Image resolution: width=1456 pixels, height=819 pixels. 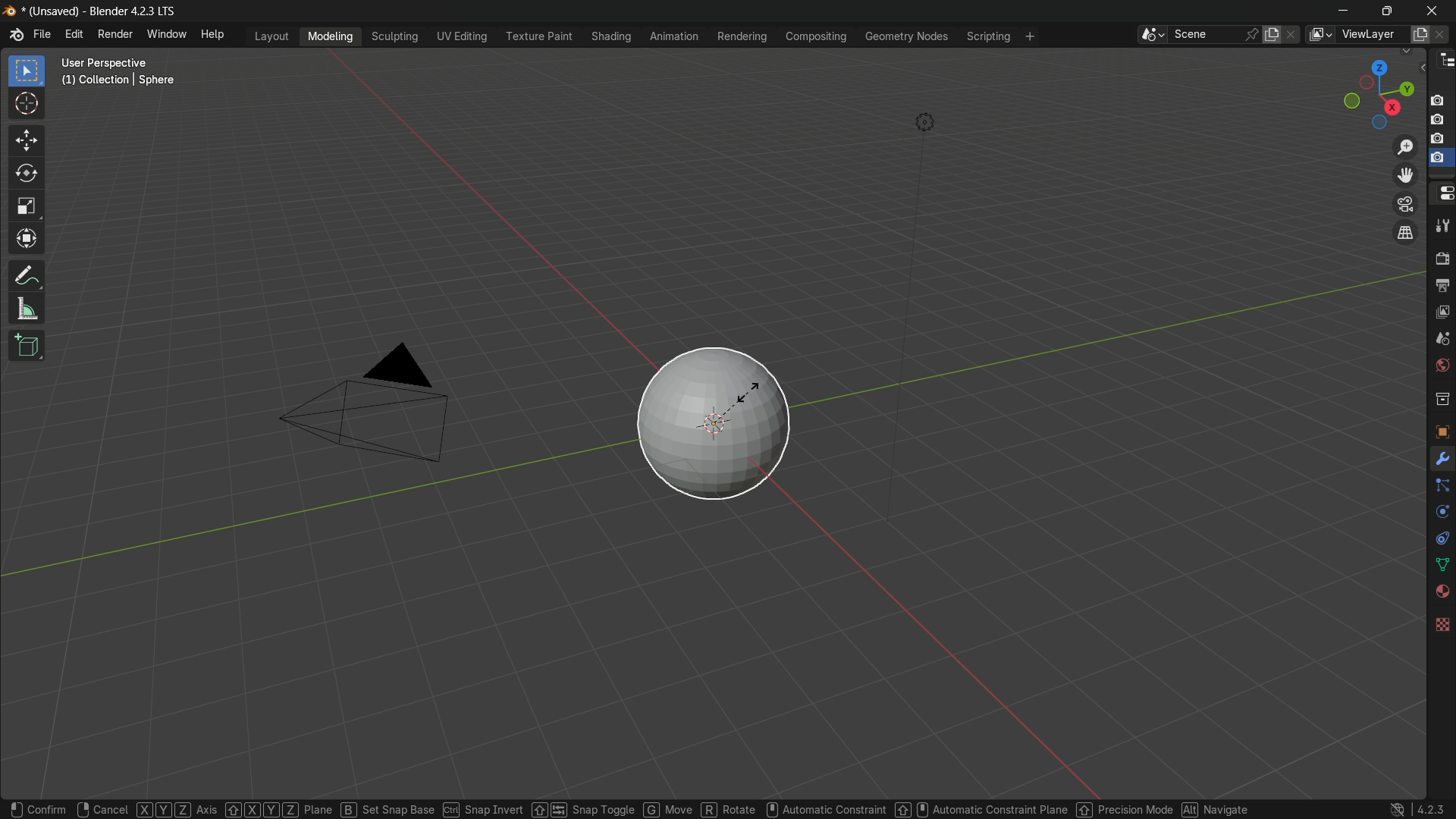 I want to click on output, so click(x=1442, y=286).